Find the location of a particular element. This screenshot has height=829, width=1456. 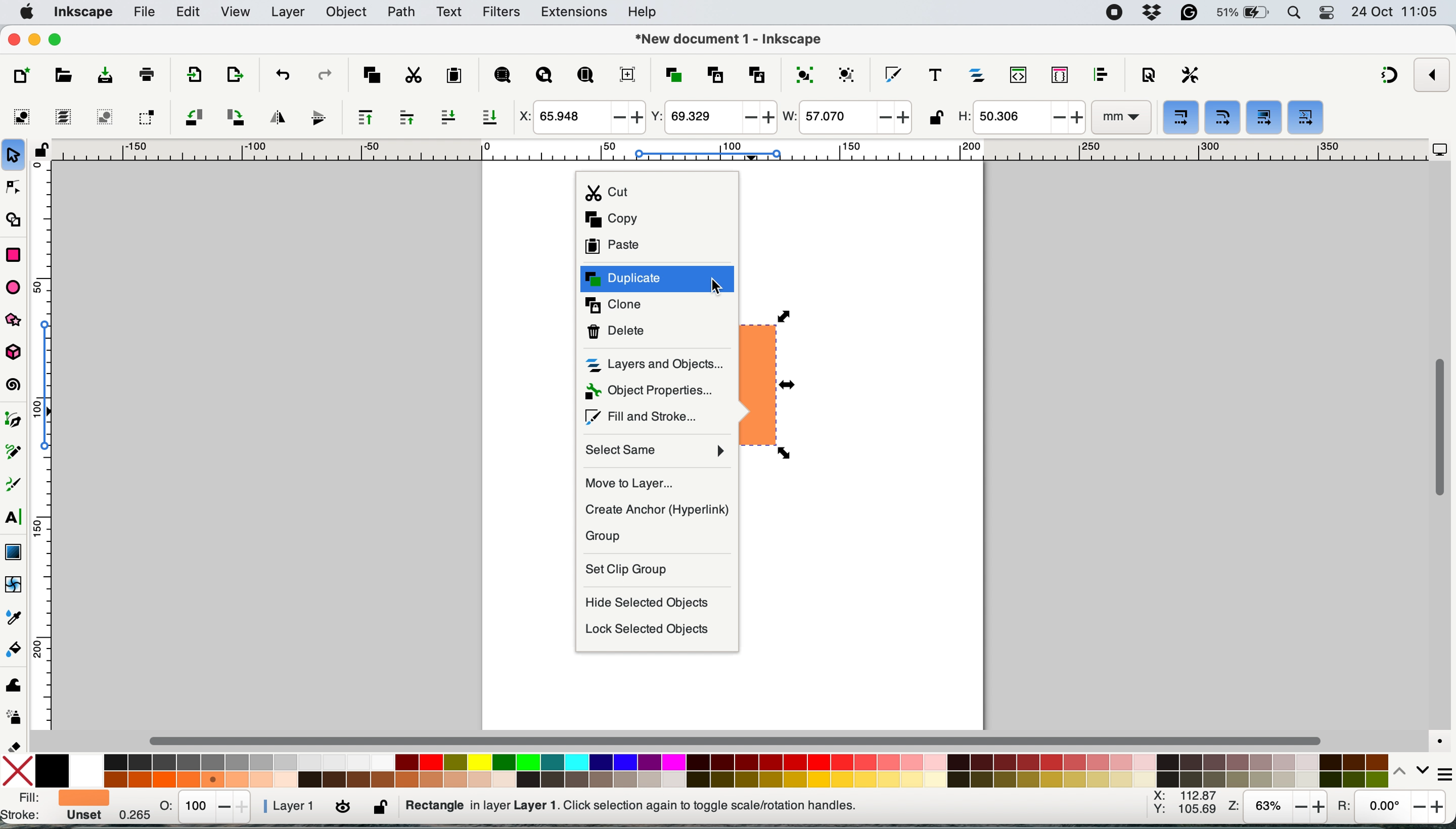

extensions is located at coordinates (576, 13).